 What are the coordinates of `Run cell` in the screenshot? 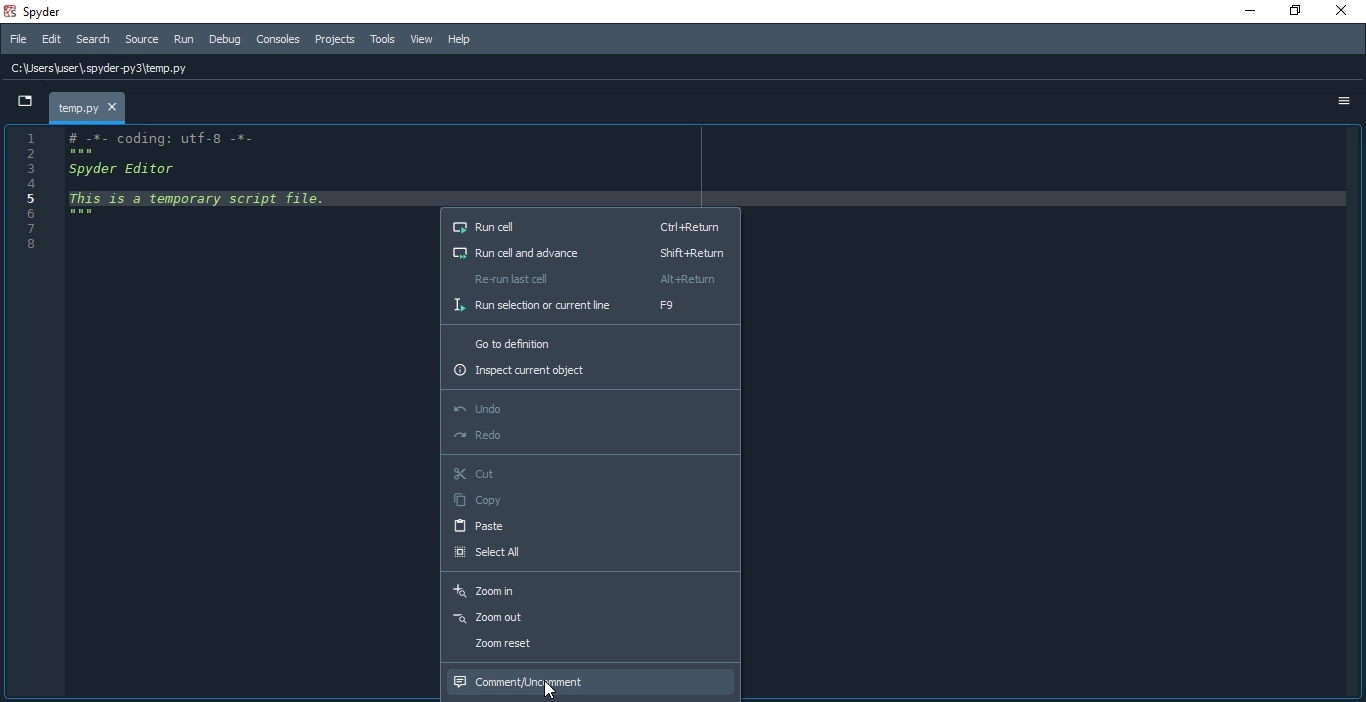 It's located at (590, 225).